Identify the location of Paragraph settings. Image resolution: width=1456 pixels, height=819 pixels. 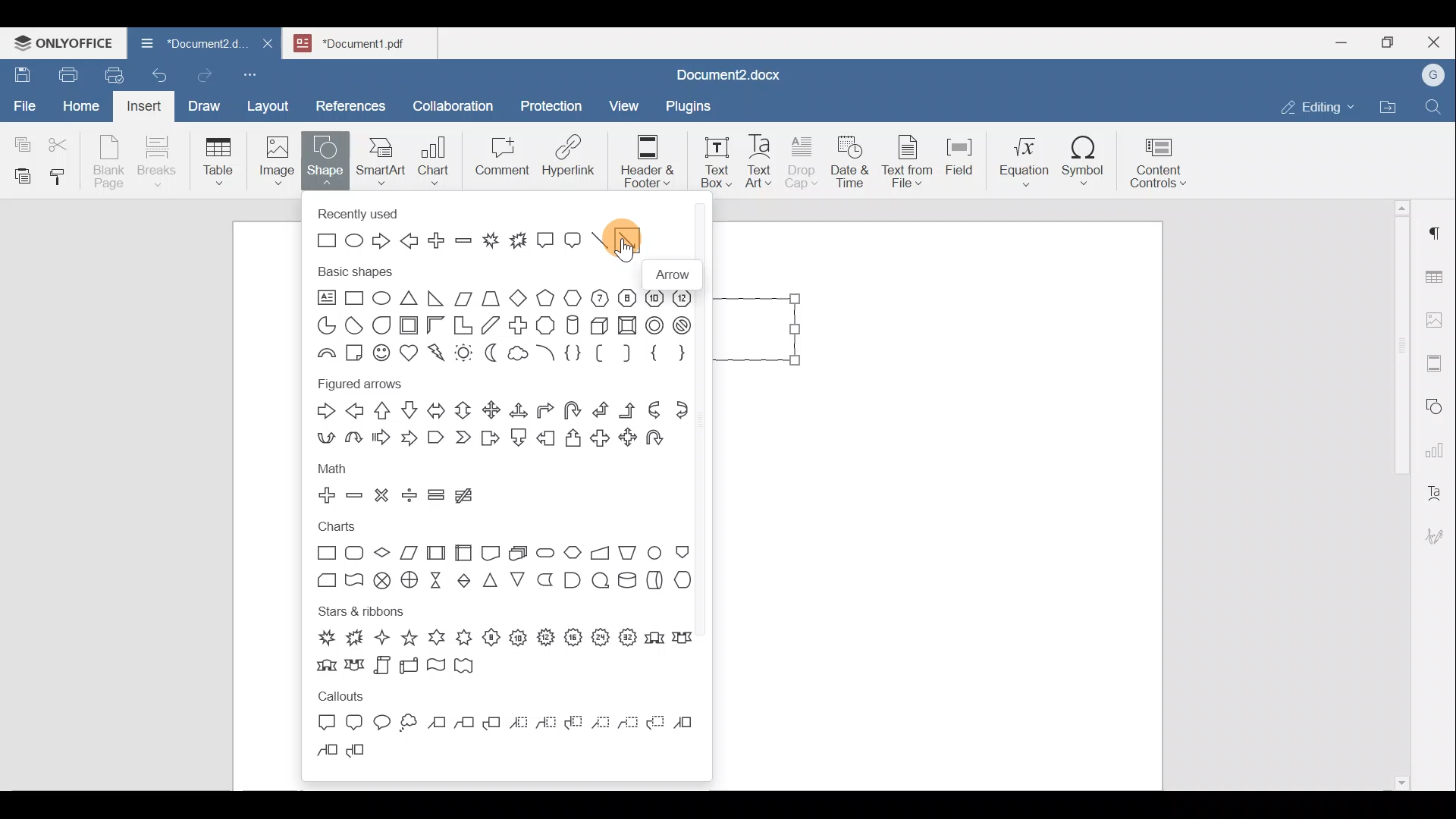
(1436, 227).